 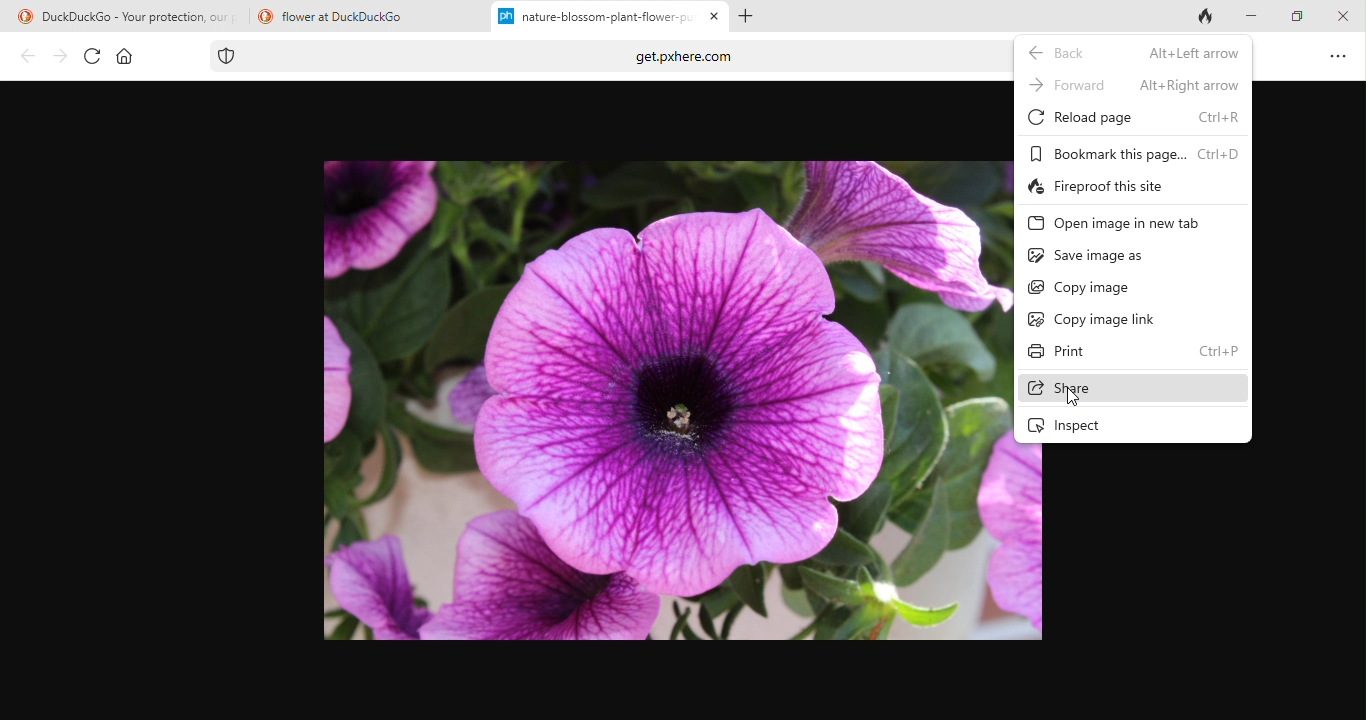 I want to click on forward, so click(x=57, y=56).